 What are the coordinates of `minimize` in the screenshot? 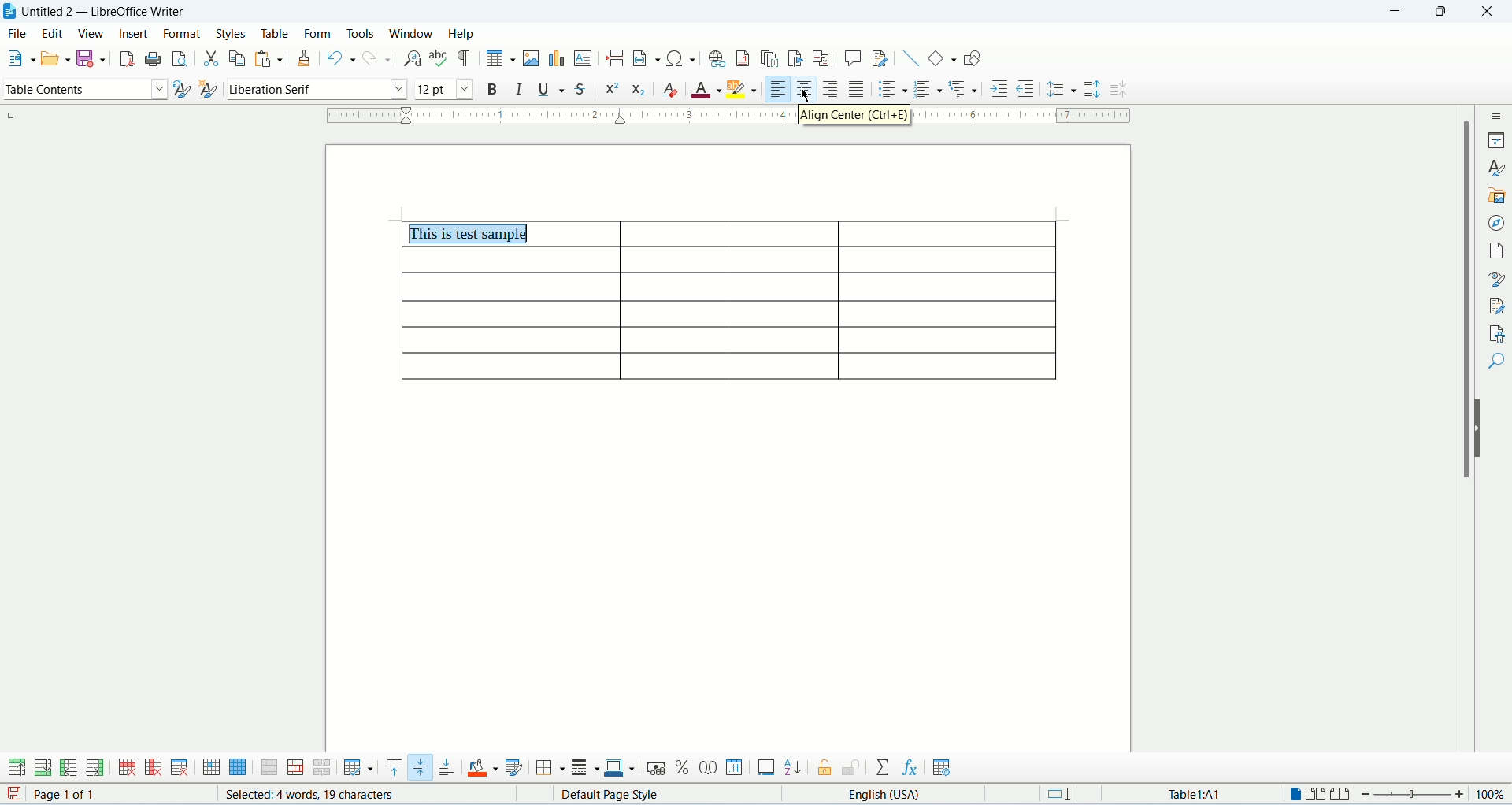 It's located at (1397, 12).